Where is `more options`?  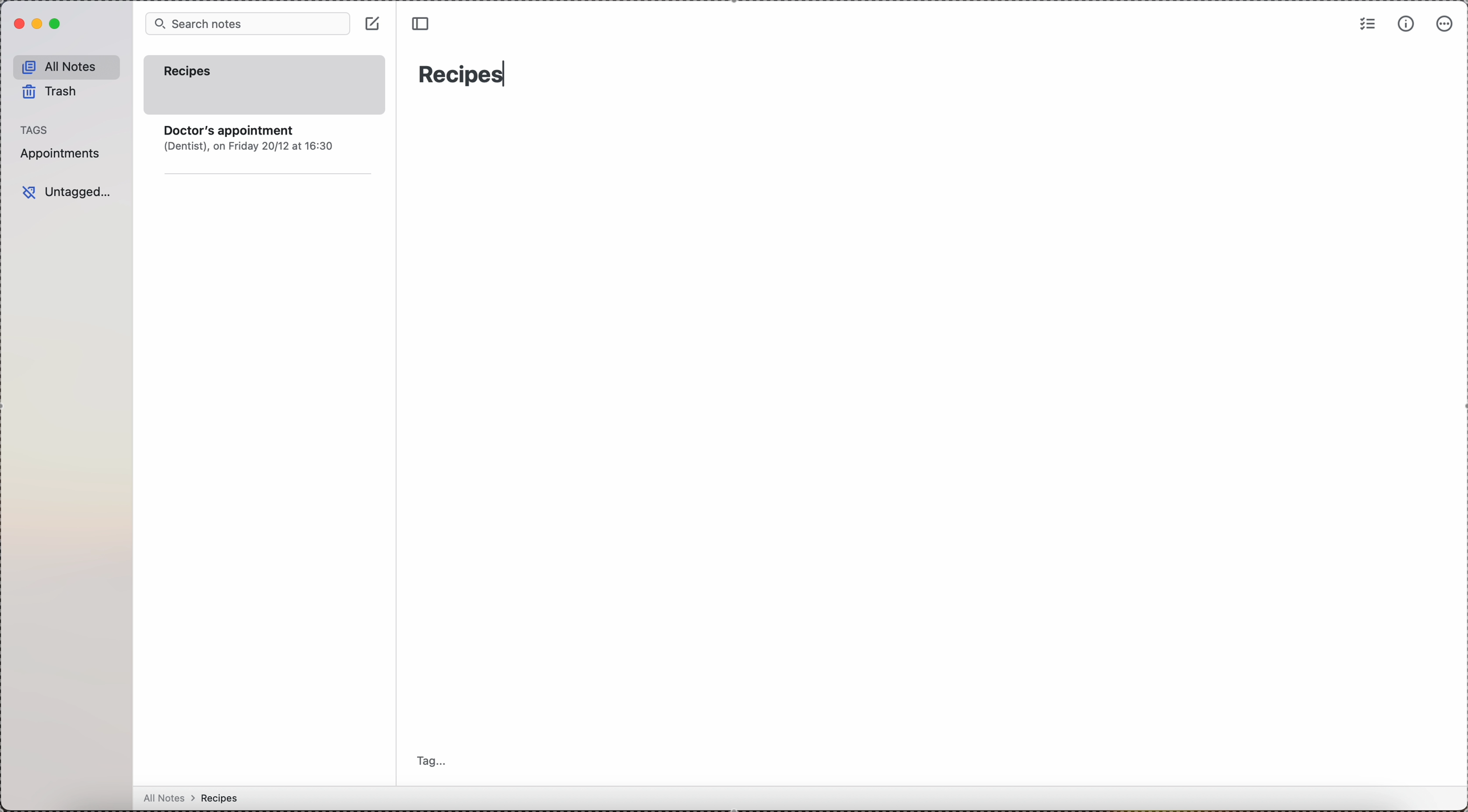
more options is located at coordinates (1443, 25).